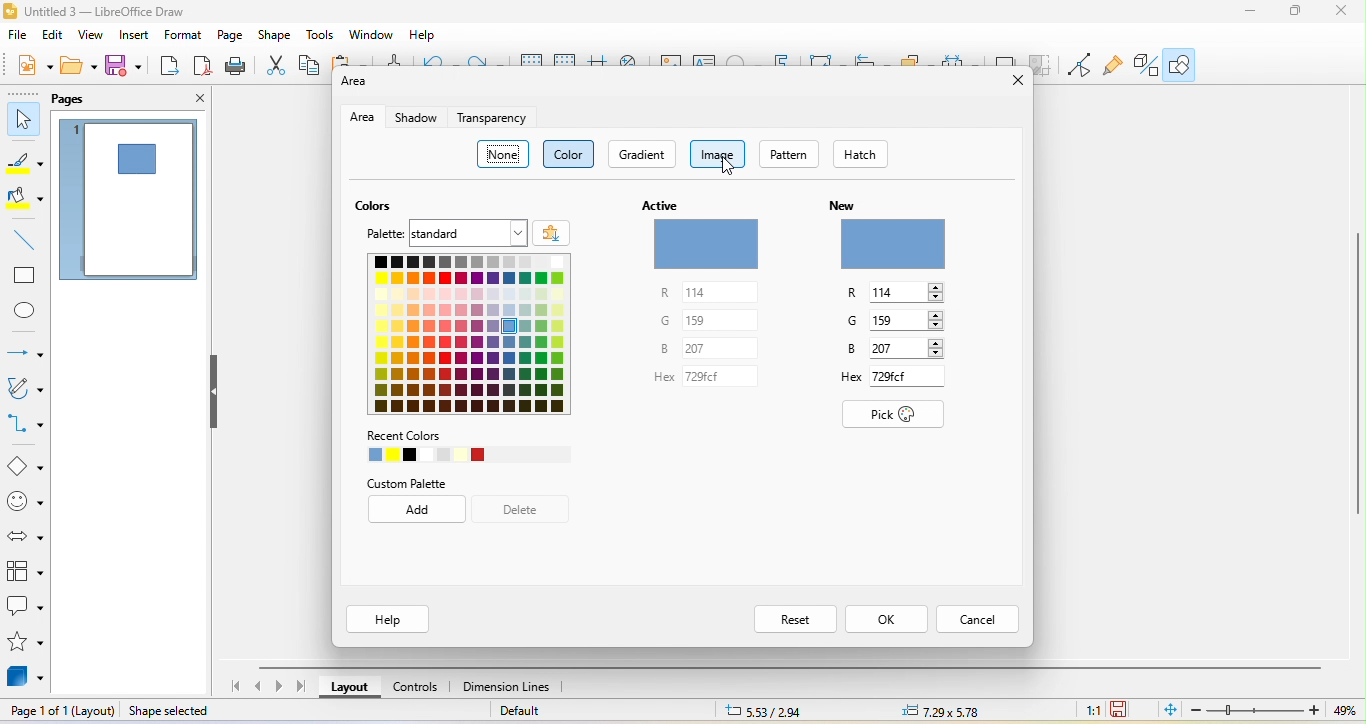  What do you see at coordinates (497, 119) in the screenshot?
I see `transparency` at bounding box center [497, 119].